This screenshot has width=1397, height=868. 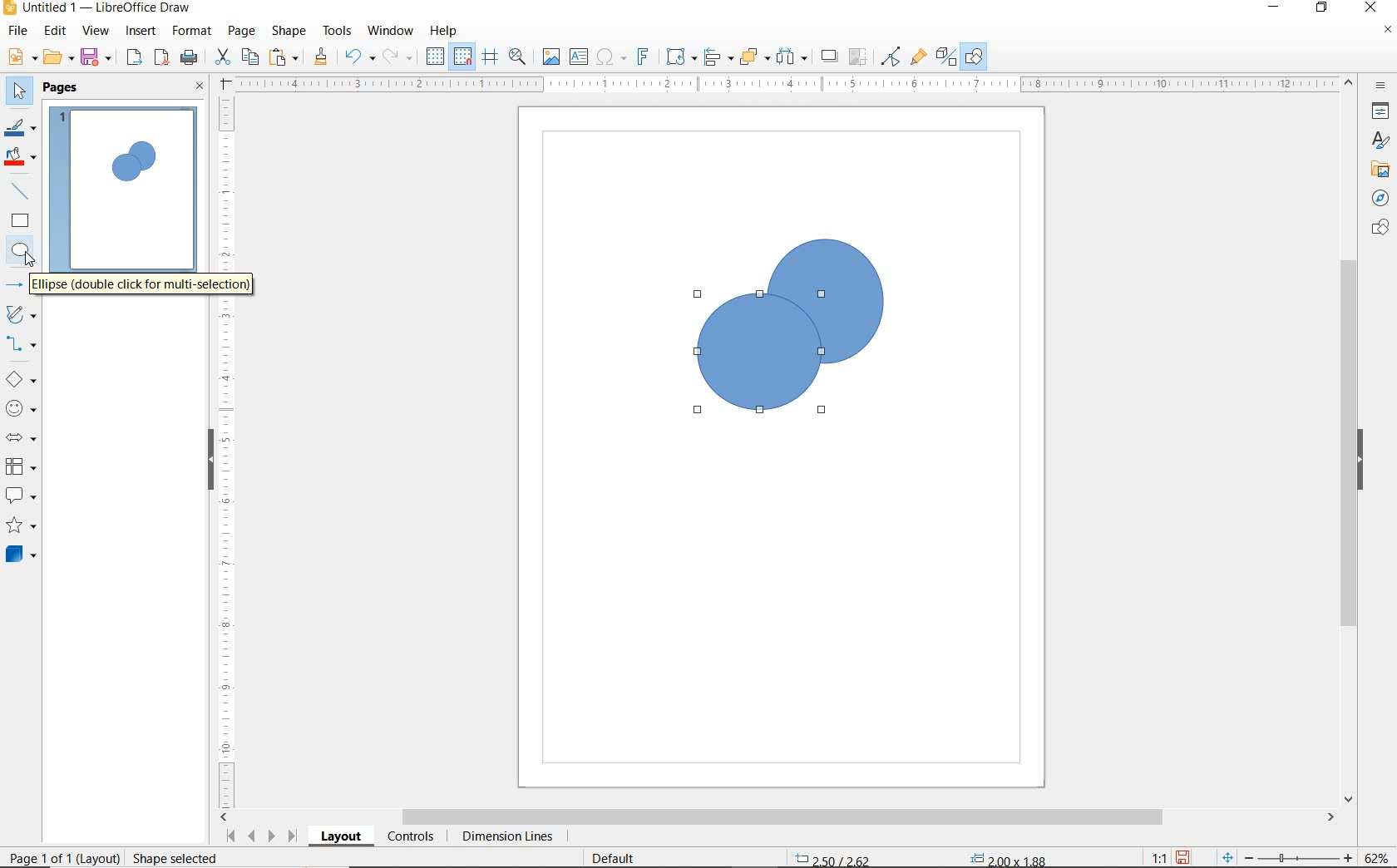 What do you see at coordinates (228, 450) in the screenshot?
I see `RULER` at bounding box center [228, 450].